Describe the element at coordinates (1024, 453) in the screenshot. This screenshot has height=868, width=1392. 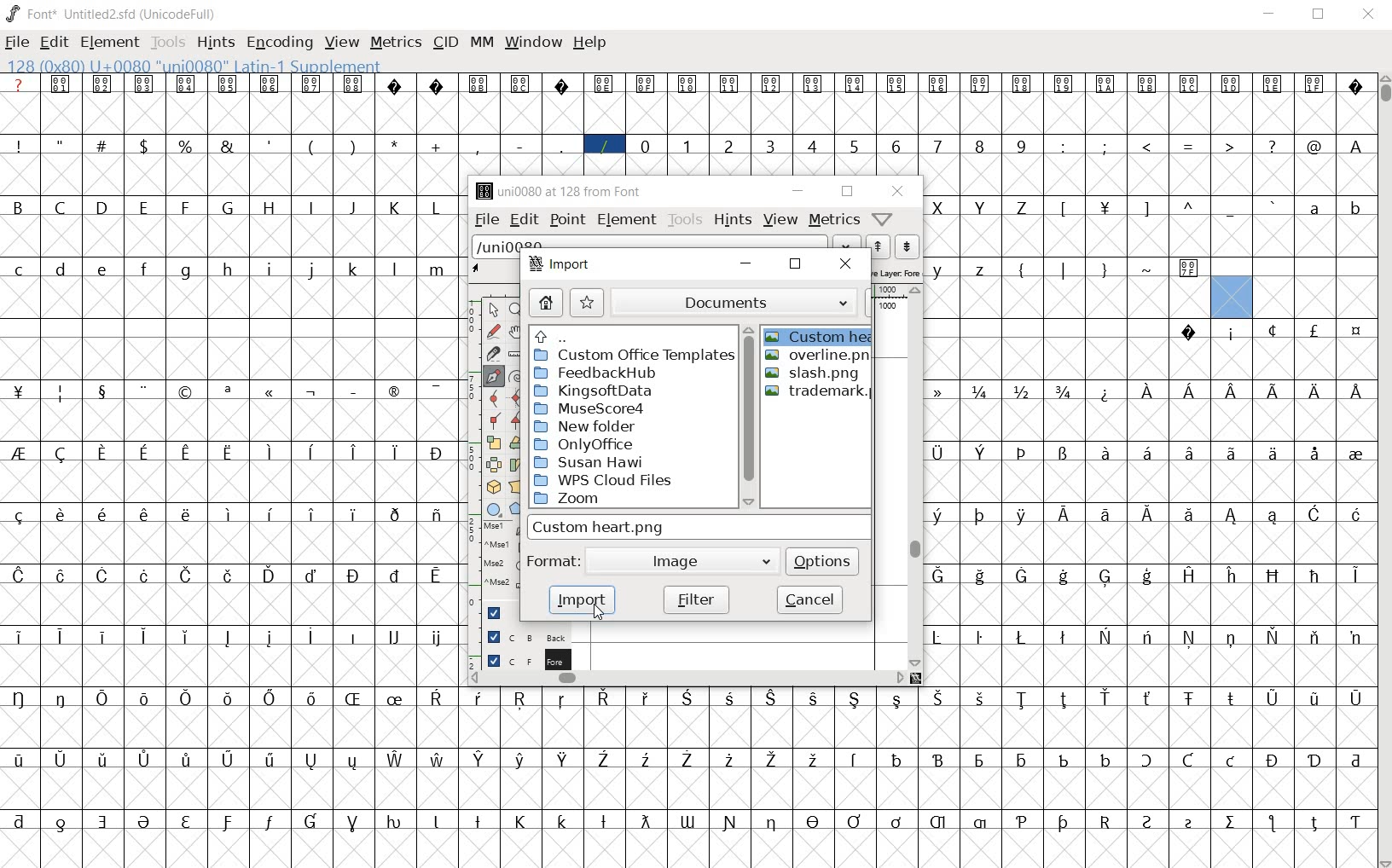
I see `glyph` at that location.